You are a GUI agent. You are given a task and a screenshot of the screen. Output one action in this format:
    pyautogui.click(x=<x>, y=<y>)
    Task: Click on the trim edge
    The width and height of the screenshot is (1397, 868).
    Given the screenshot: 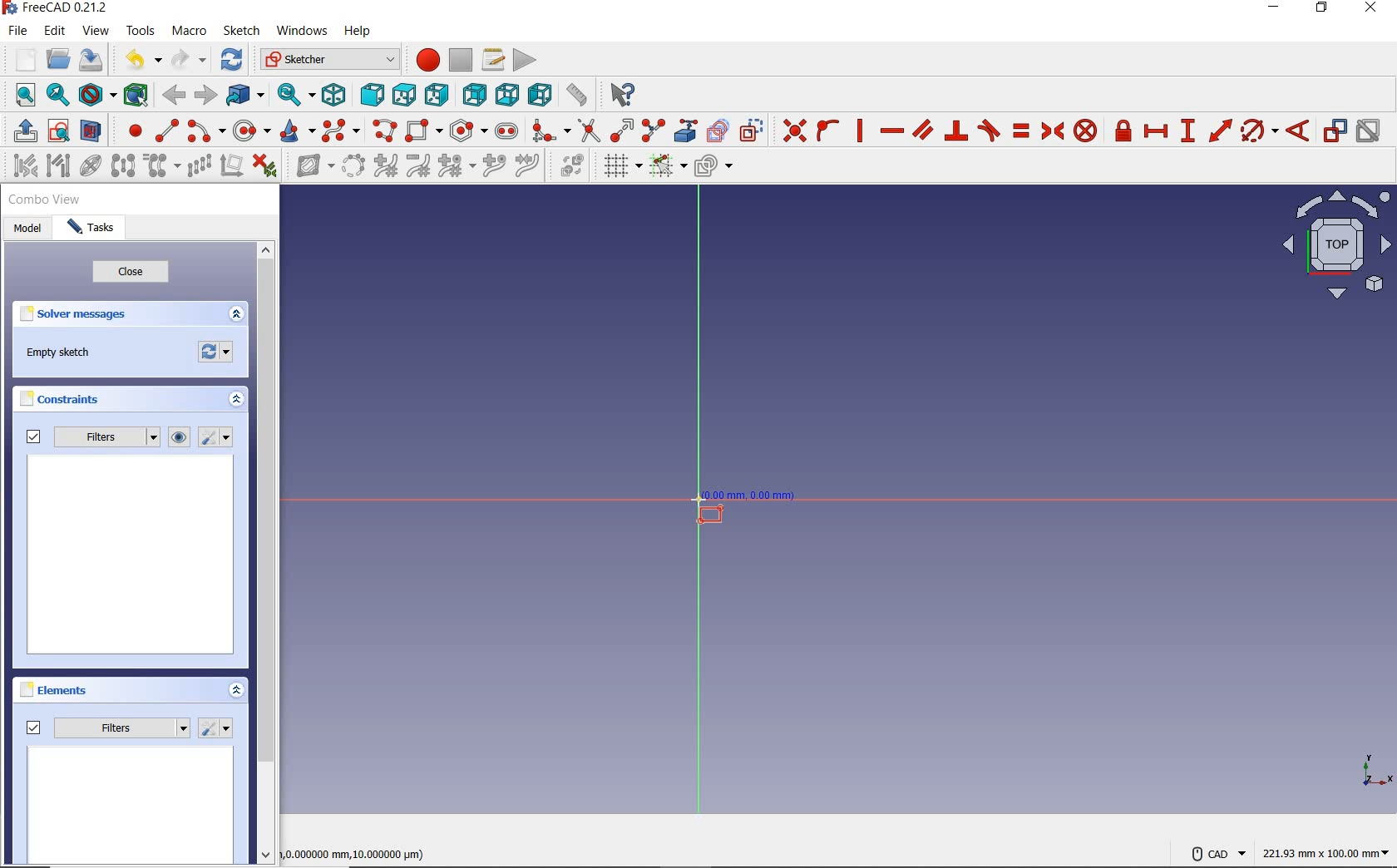 What is the action you would take?
    pyautogui.click(x=588, y=131)
    